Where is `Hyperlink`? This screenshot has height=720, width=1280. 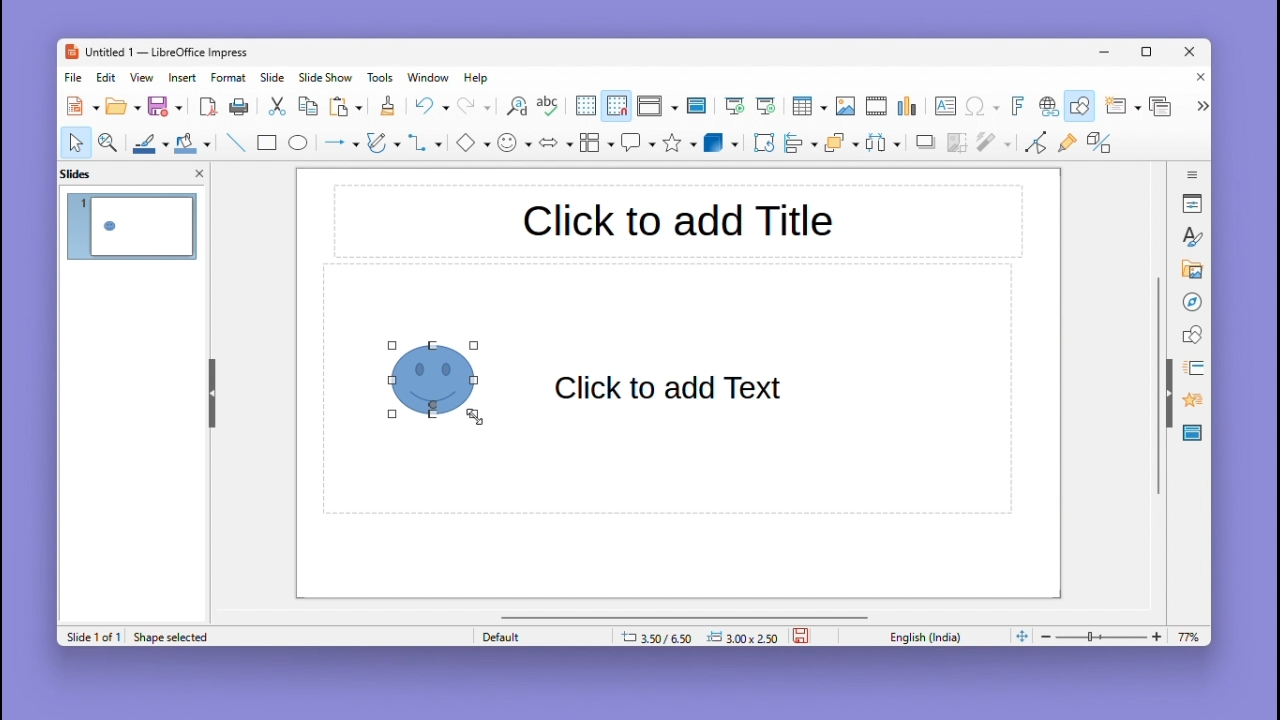 Hyperlink is located at coordinates (1046, 108).